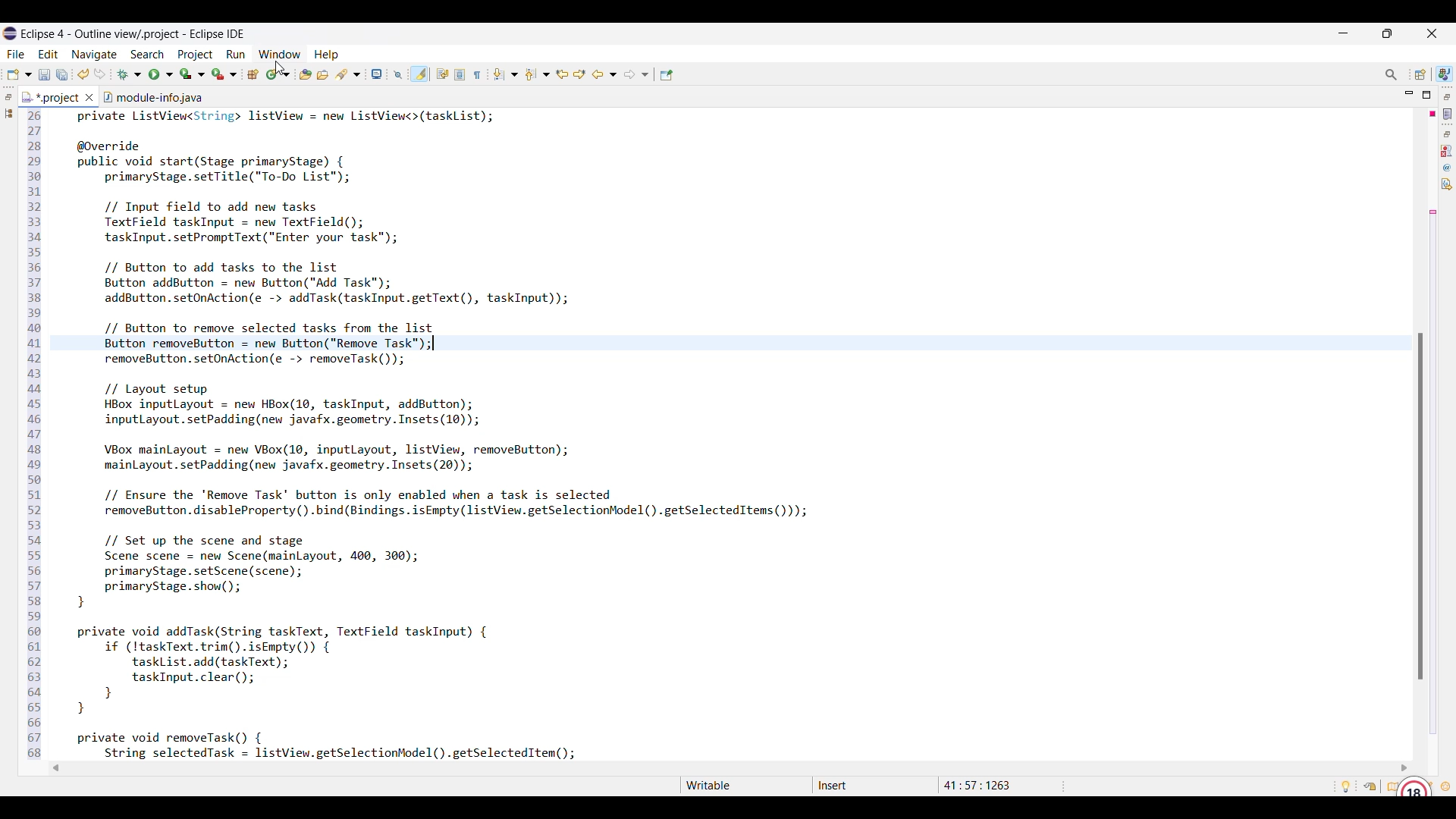  Describe the element at coordinates (1414, 785) in the screenshot. I see `Grammarly extension` at that location.